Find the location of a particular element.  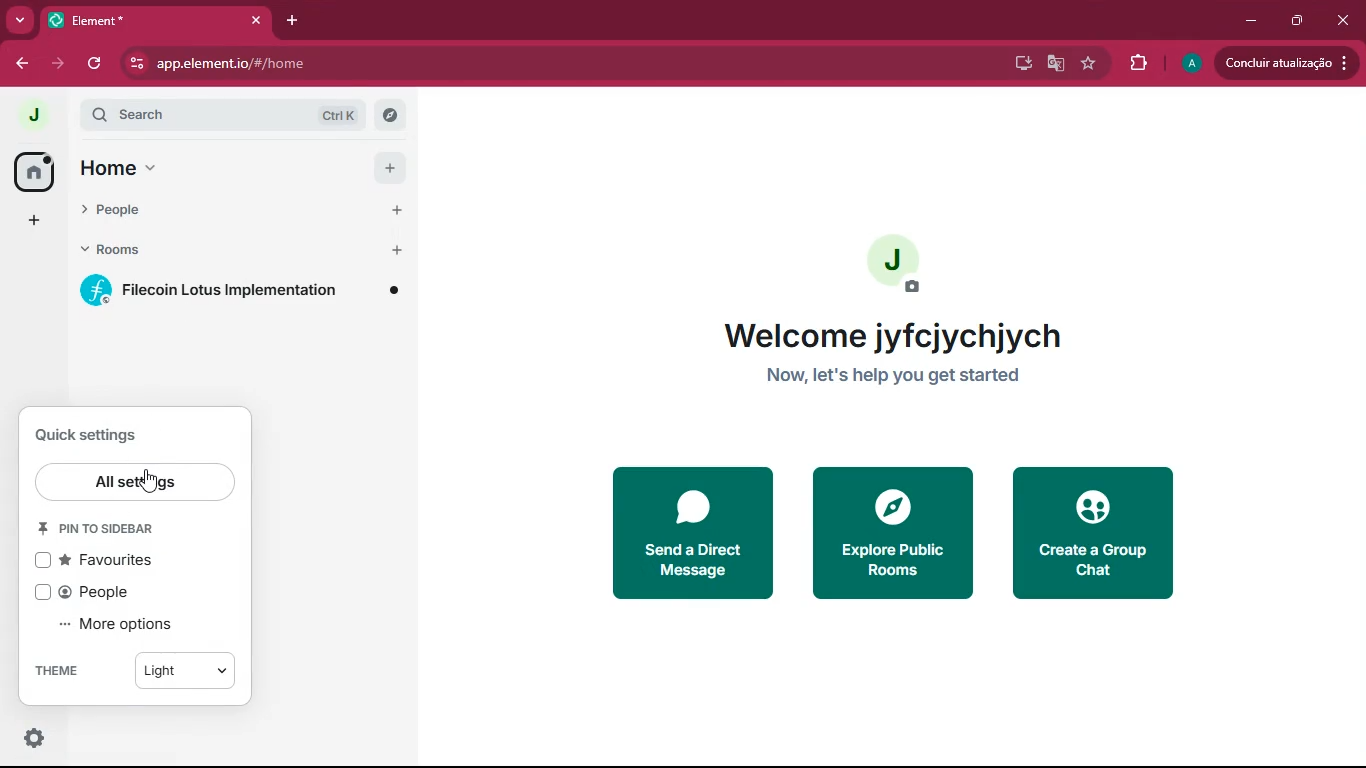

create a group chat is located at coordinates (1093, 534).